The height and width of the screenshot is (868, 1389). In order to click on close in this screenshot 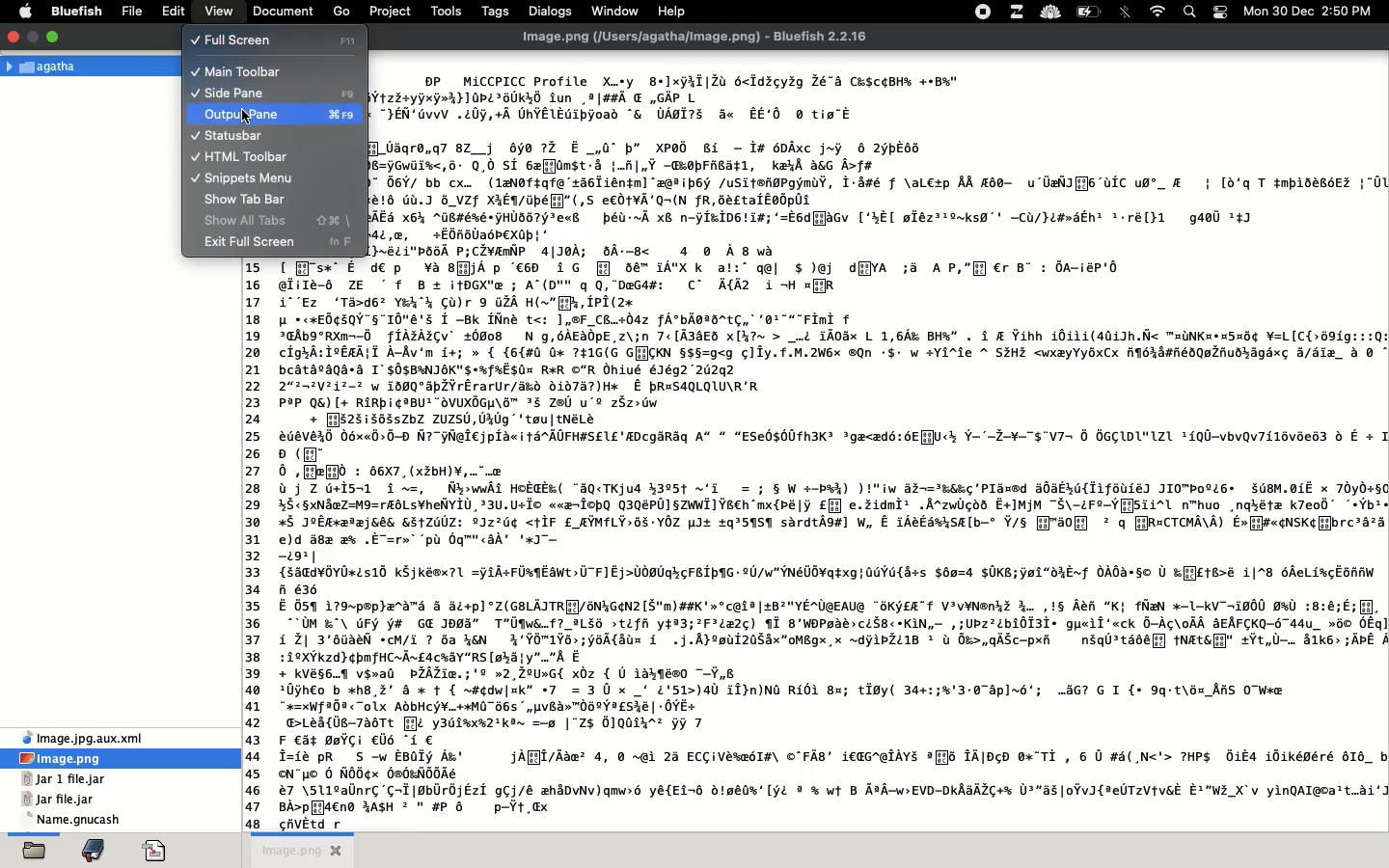, I will do `click(13, 35)`.